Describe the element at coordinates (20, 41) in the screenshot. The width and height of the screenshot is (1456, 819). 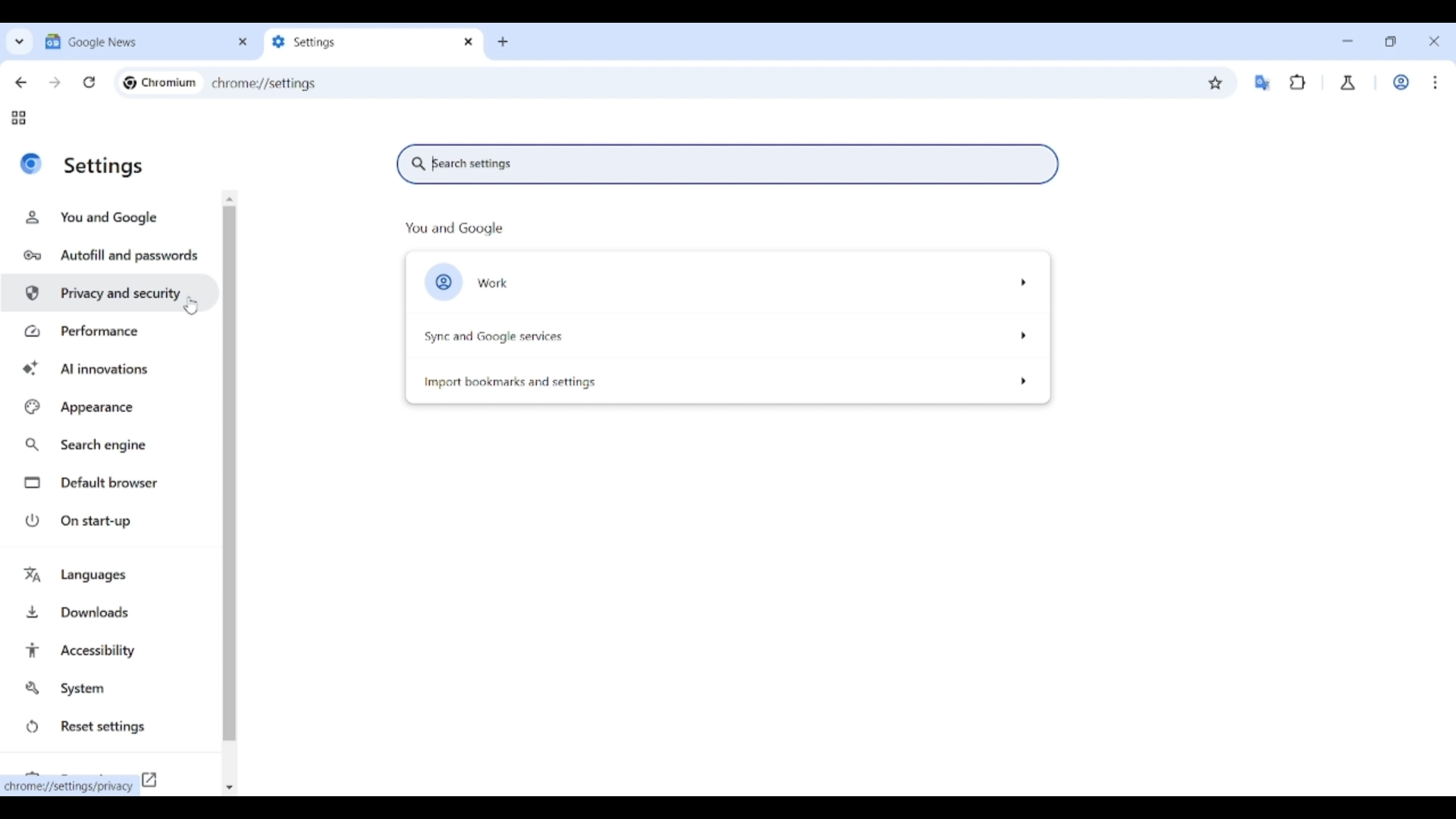
I see `Search tabs` at that location.